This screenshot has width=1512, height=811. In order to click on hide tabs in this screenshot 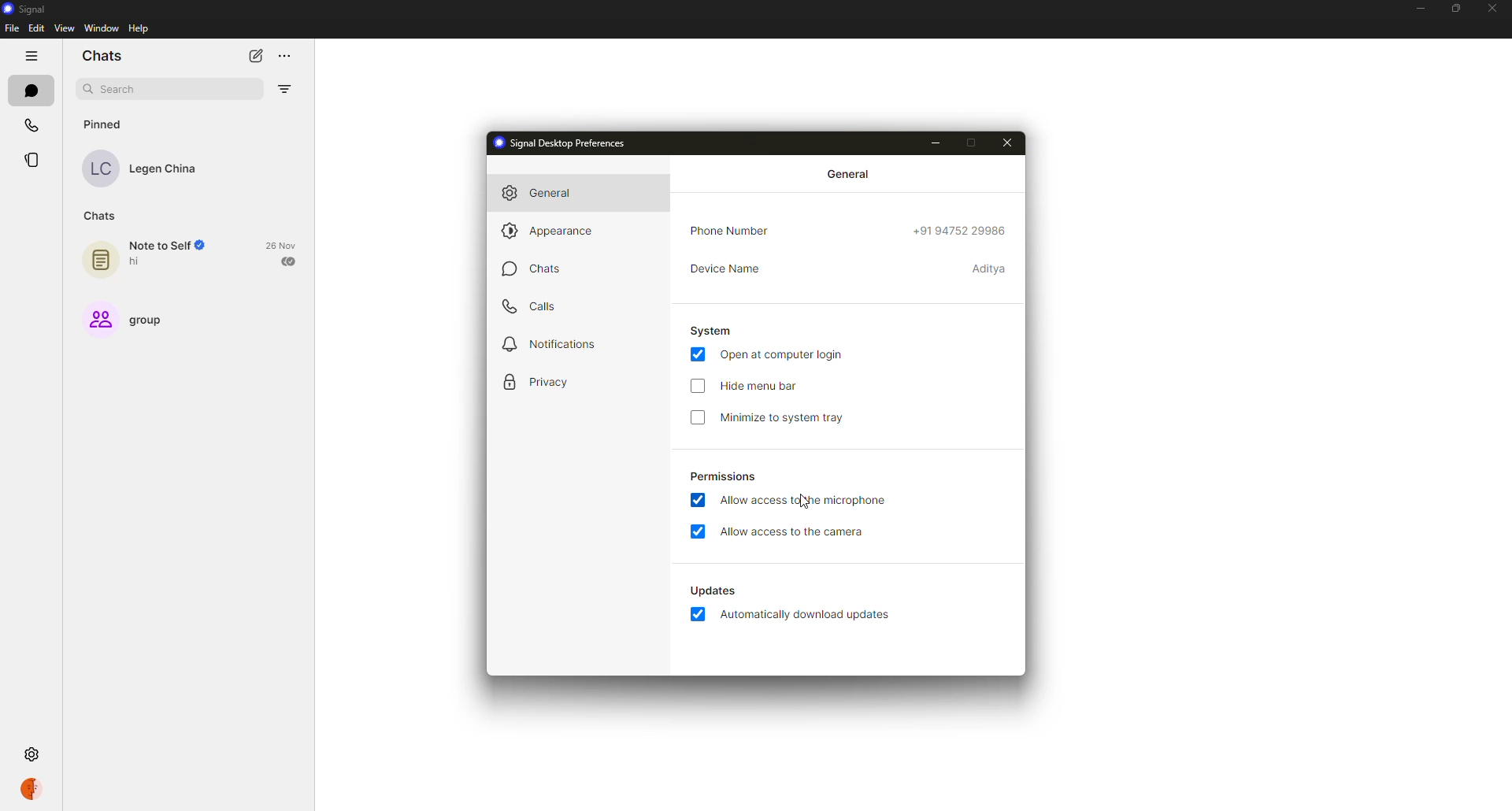, I will do `click(34, 54)`.